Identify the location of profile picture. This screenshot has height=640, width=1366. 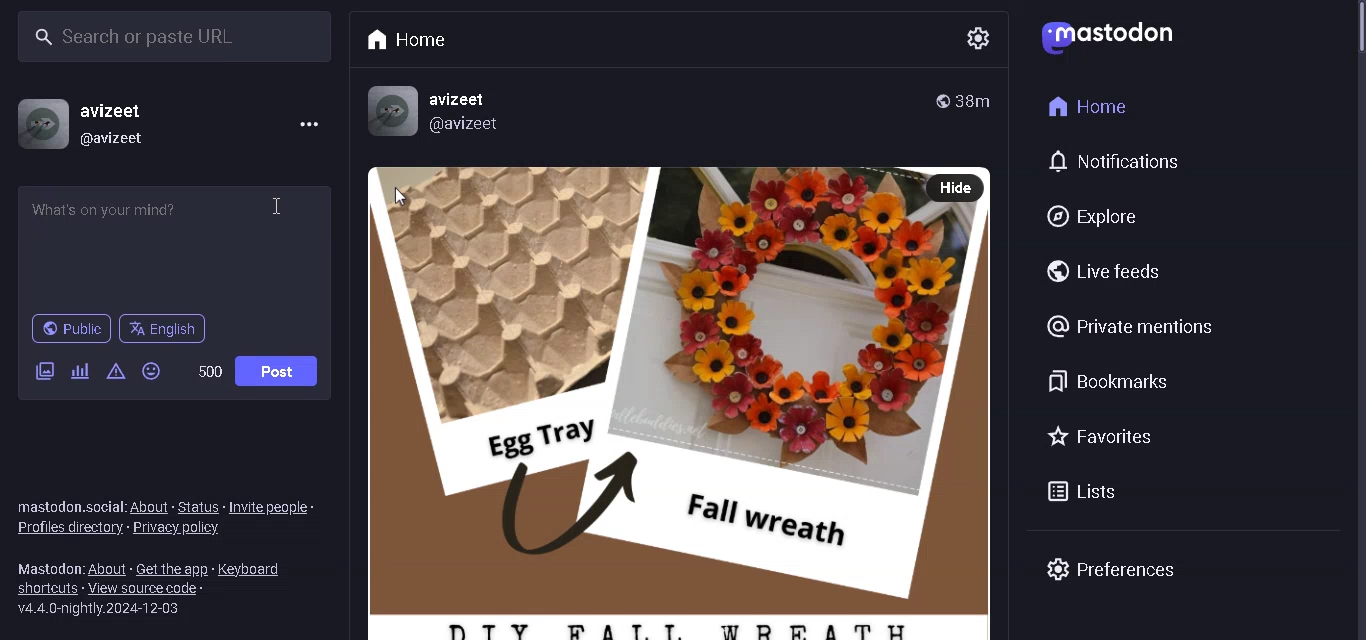
(36, 124).